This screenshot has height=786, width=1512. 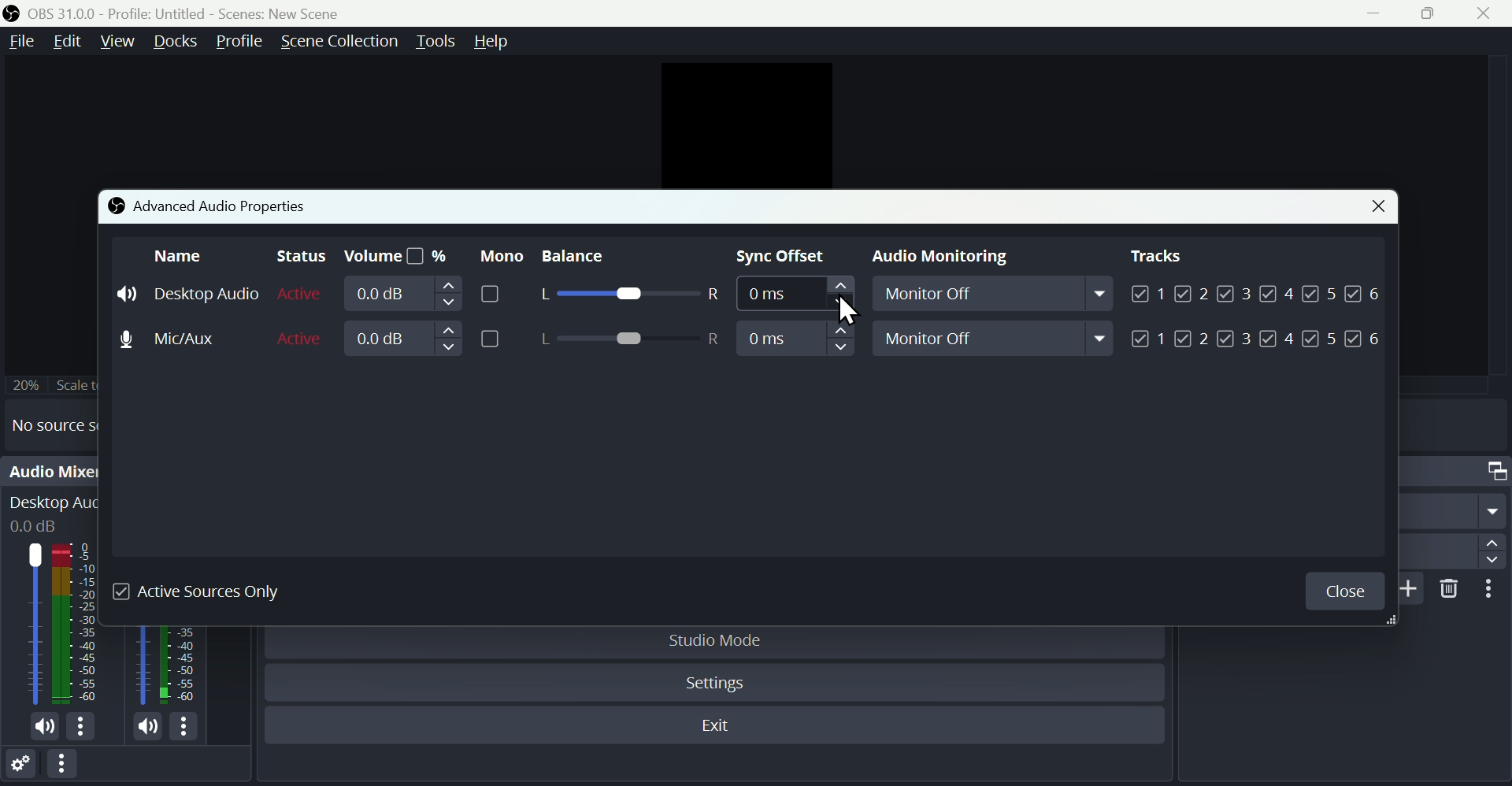 What do you see at coordinates (208, 205) in the screenshot?
I see `Advanced audio properties` at bounding box center [208, 205].